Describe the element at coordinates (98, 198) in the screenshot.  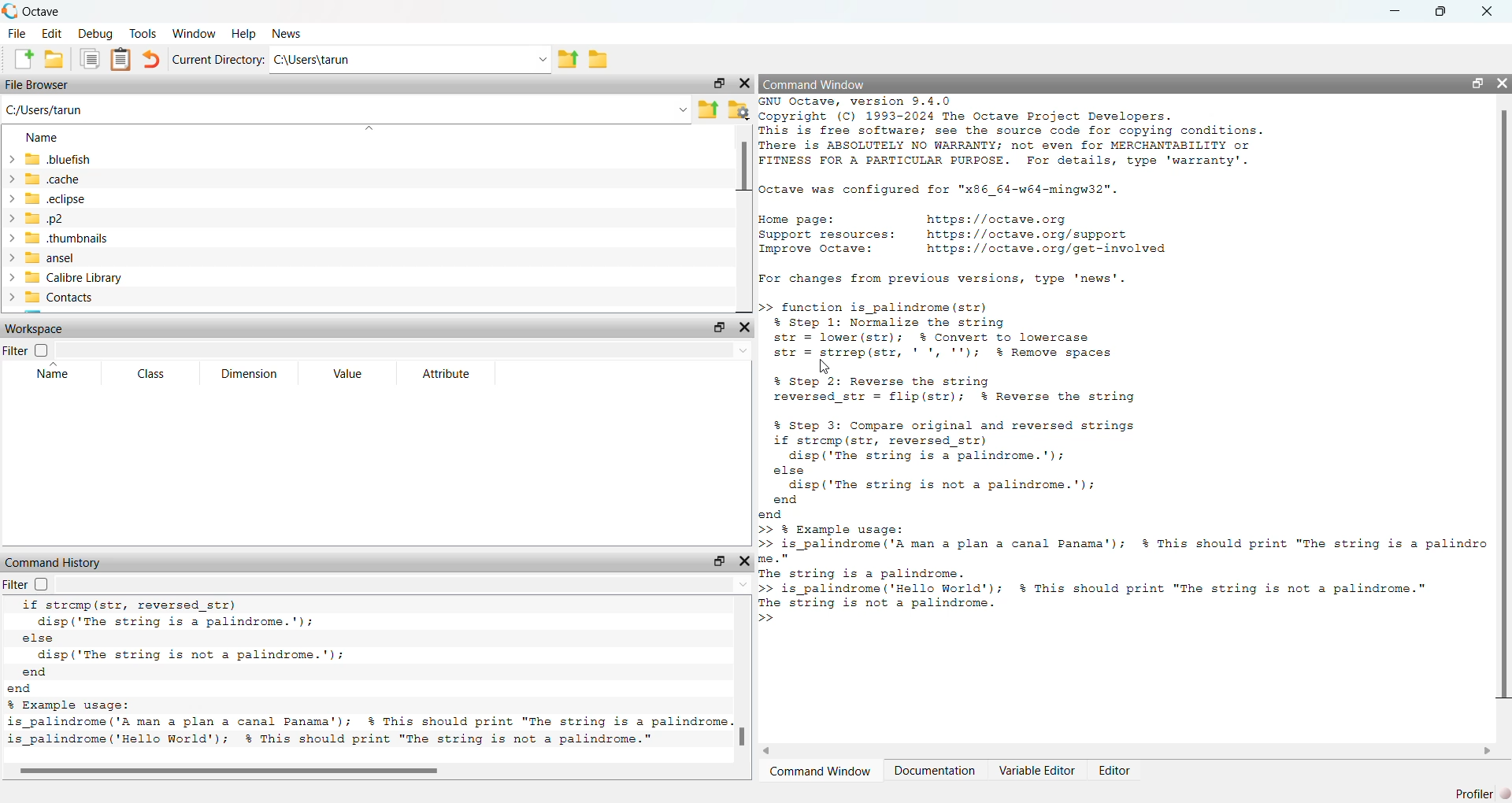
I see `.eclipse` at that location.